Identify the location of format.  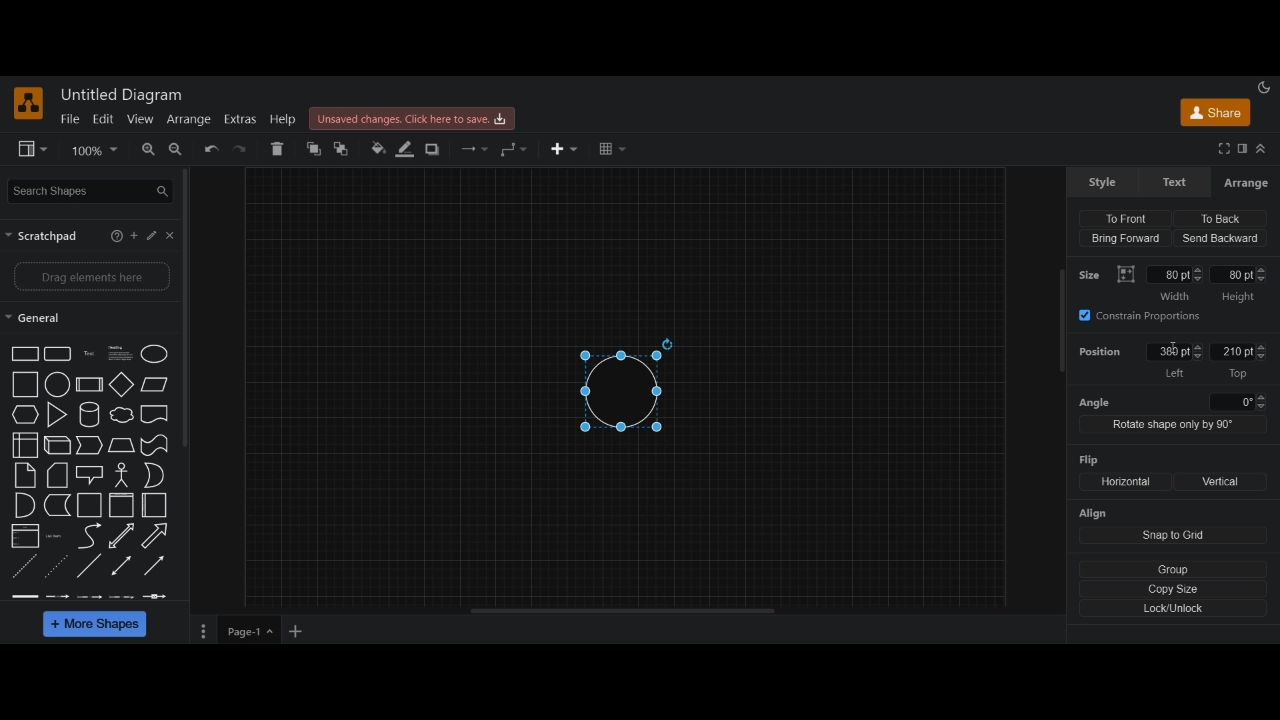
(1242, 150).